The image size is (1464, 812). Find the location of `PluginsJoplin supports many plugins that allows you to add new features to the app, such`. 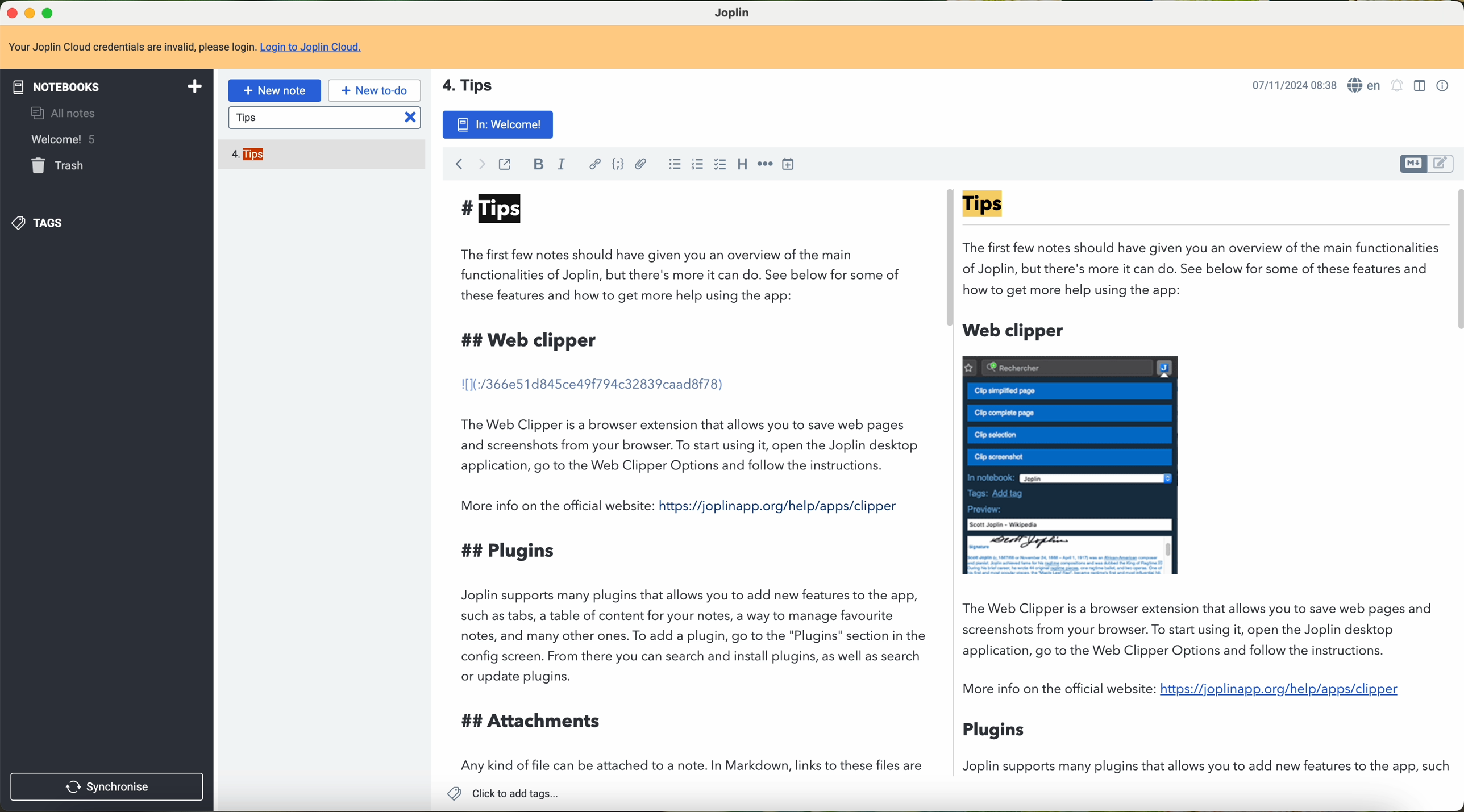

PluginsJoplin supports many plugins that allows you to add new features to the app, such is located at coordinates (1200, 747).